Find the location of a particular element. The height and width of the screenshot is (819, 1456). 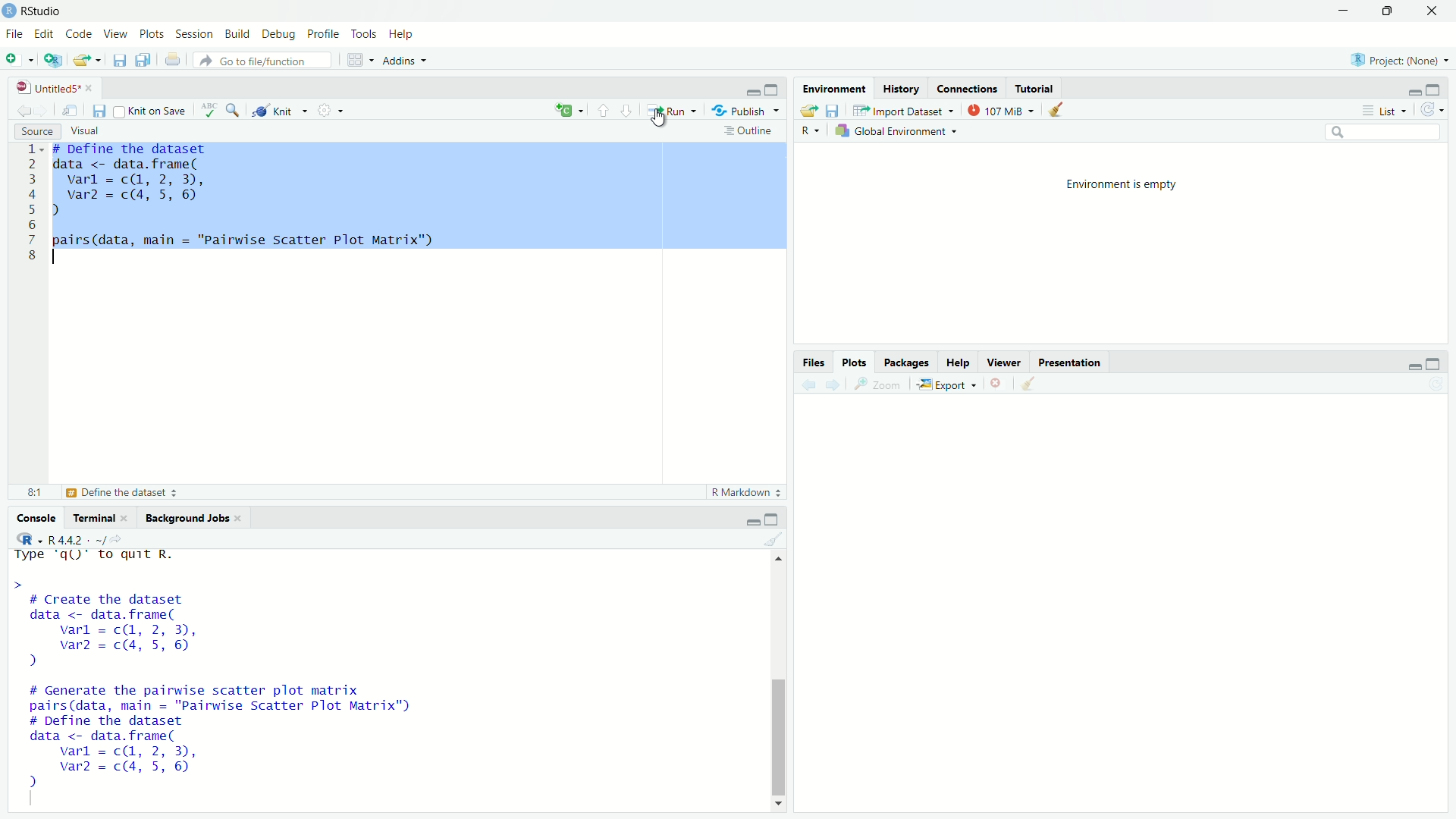

Refresh current plot is located at coordinates (1436, 384).